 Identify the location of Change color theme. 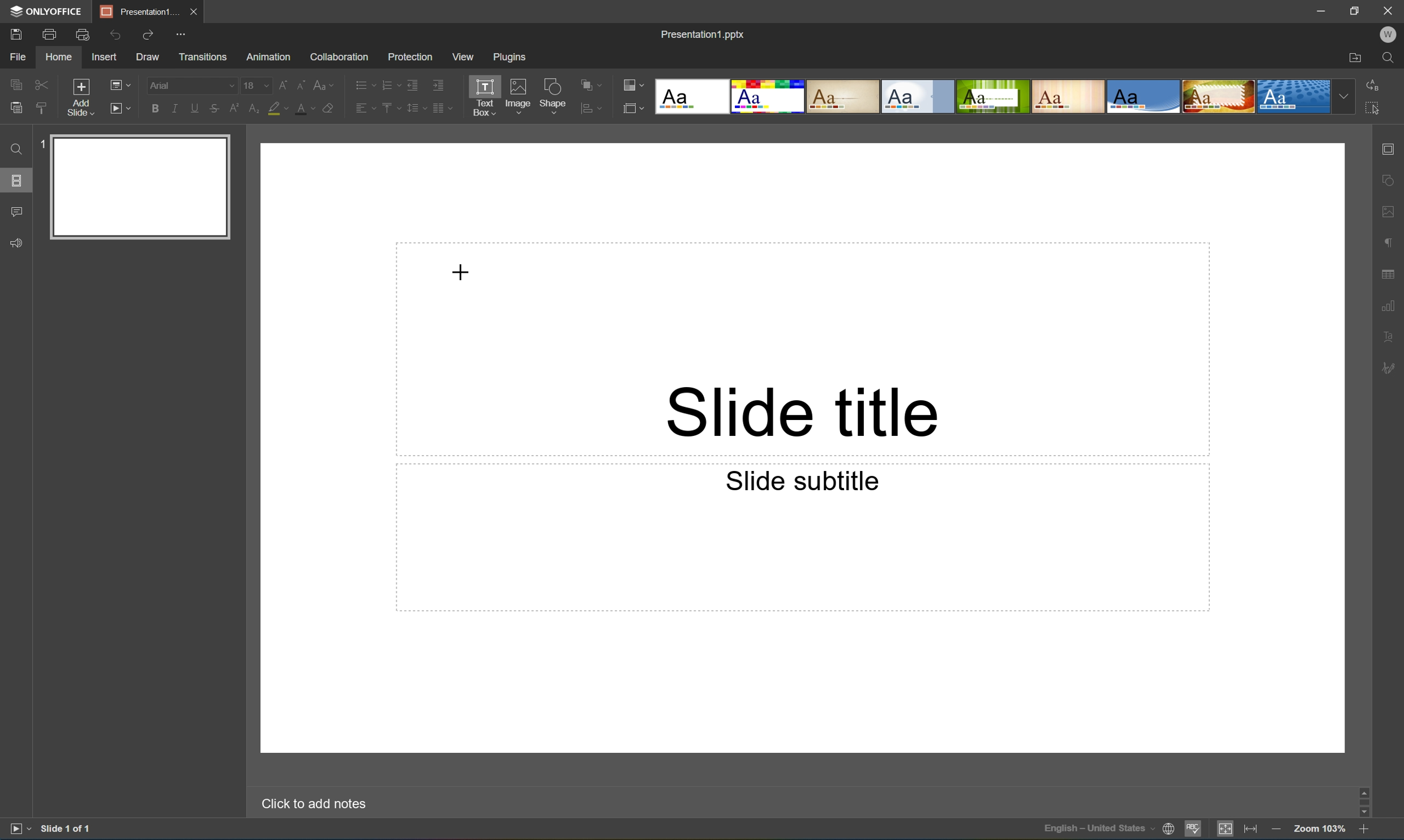
(633, 86).